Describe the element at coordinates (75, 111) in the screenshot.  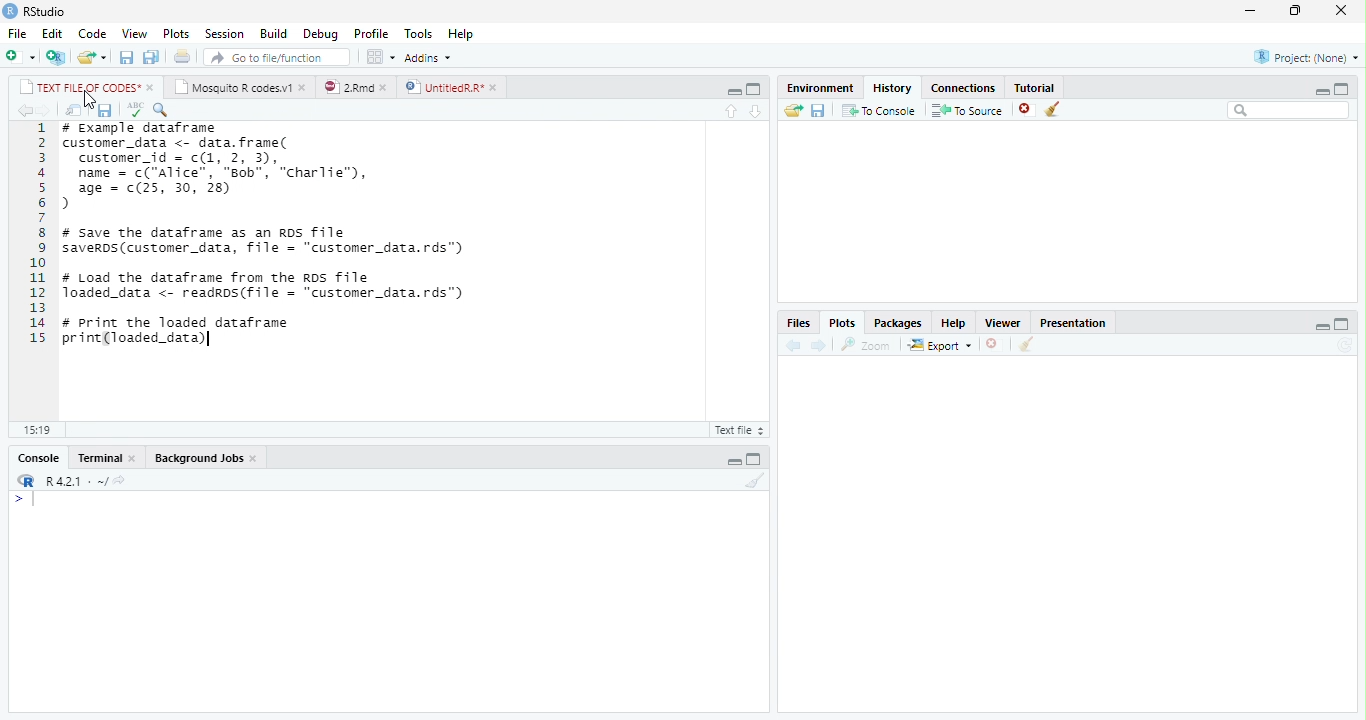
I see `open in new window` at that location.